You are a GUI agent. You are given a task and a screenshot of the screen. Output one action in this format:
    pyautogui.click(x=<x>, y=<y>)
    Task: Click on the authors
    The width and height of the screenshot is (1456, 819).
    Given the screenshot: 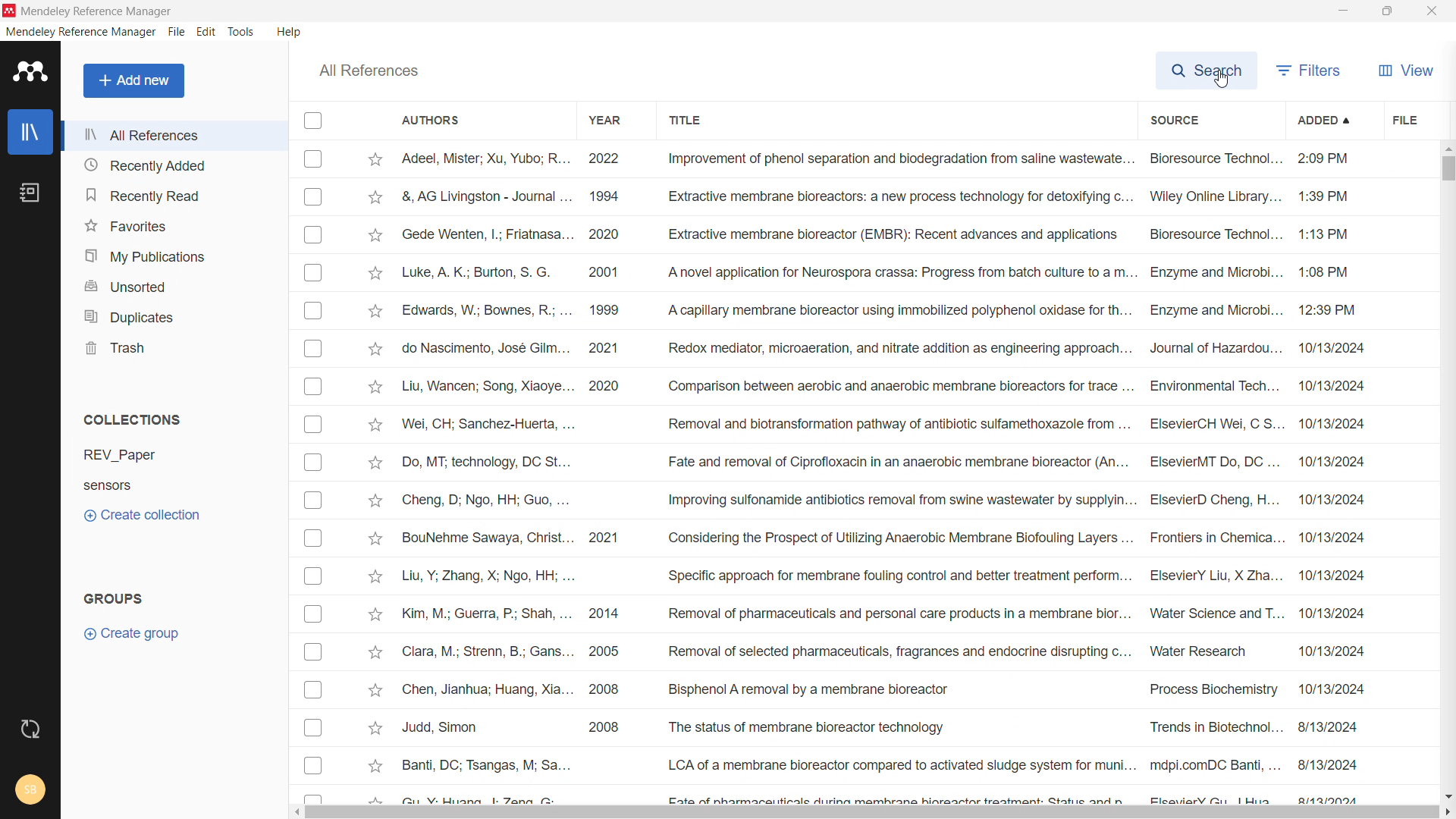 What is the action you would take?
    pyautogui.click(x=452, y=121)
    